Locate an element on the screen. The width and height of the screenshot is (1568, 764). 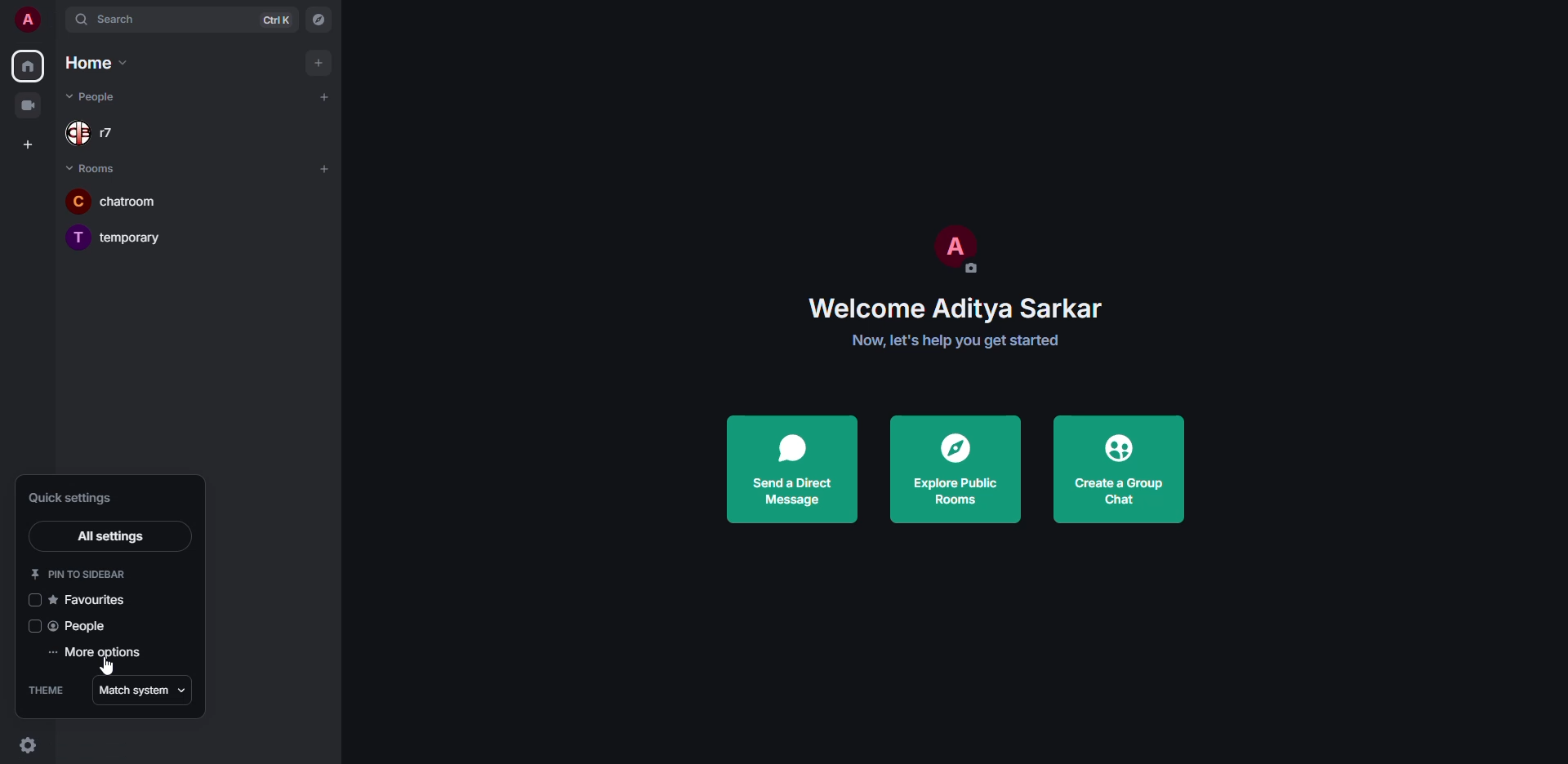
home is located at coordinates (30, 67).